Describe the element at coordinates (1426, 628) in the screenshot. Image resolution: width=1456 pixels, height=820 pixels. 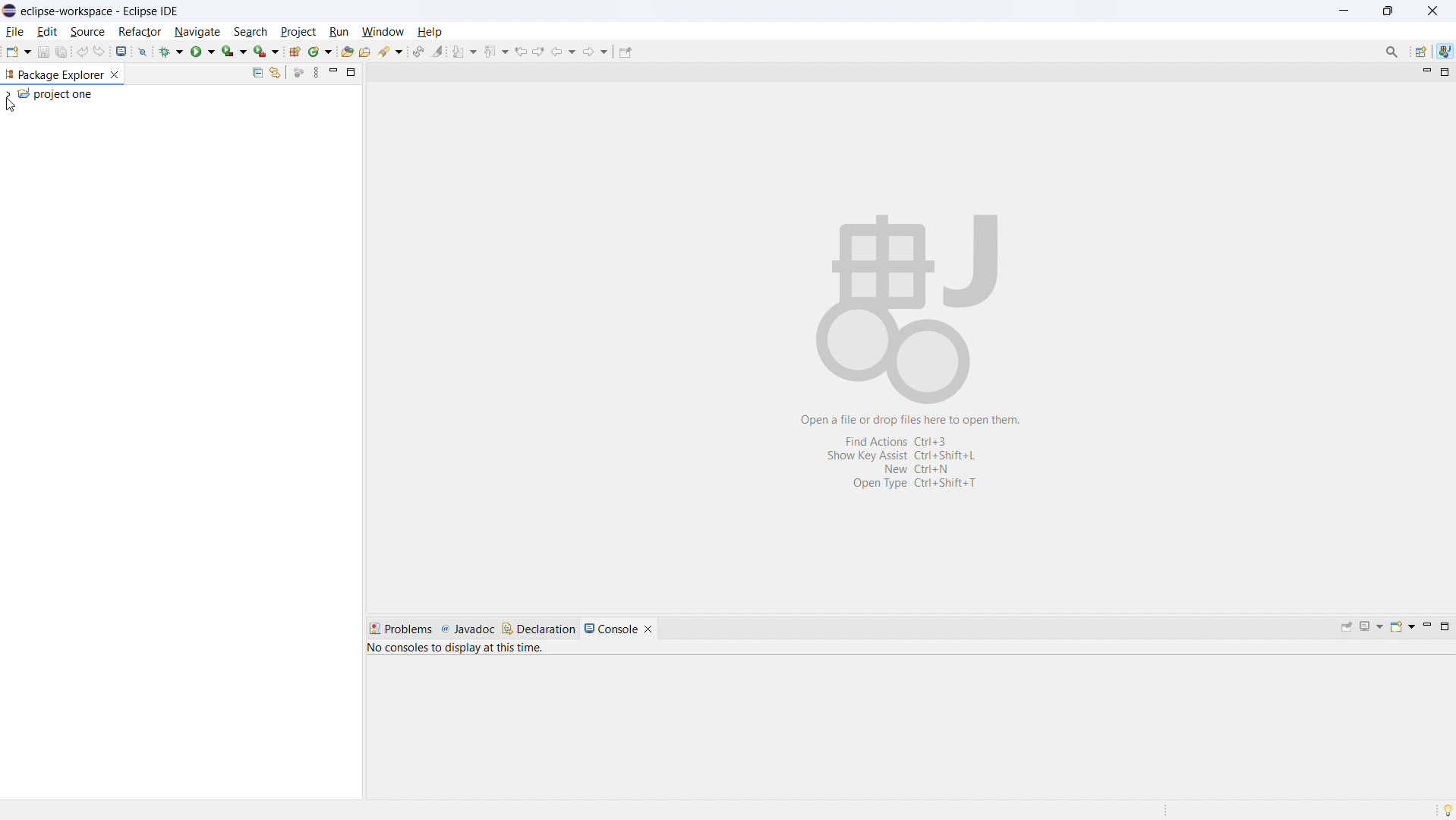
I see `minimize` at that location.